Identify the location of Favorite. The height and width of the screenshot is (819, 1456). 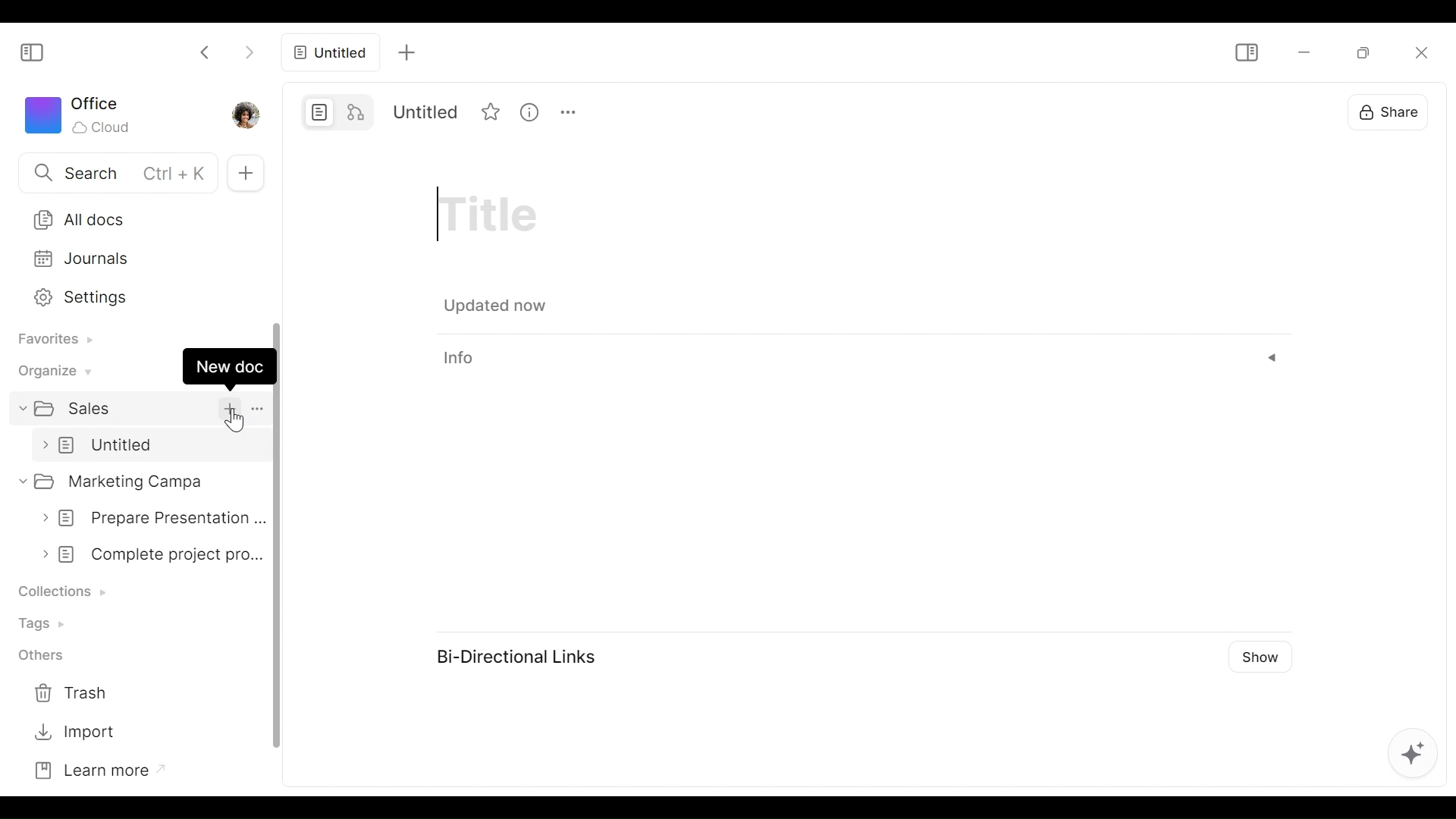
(494, 111).